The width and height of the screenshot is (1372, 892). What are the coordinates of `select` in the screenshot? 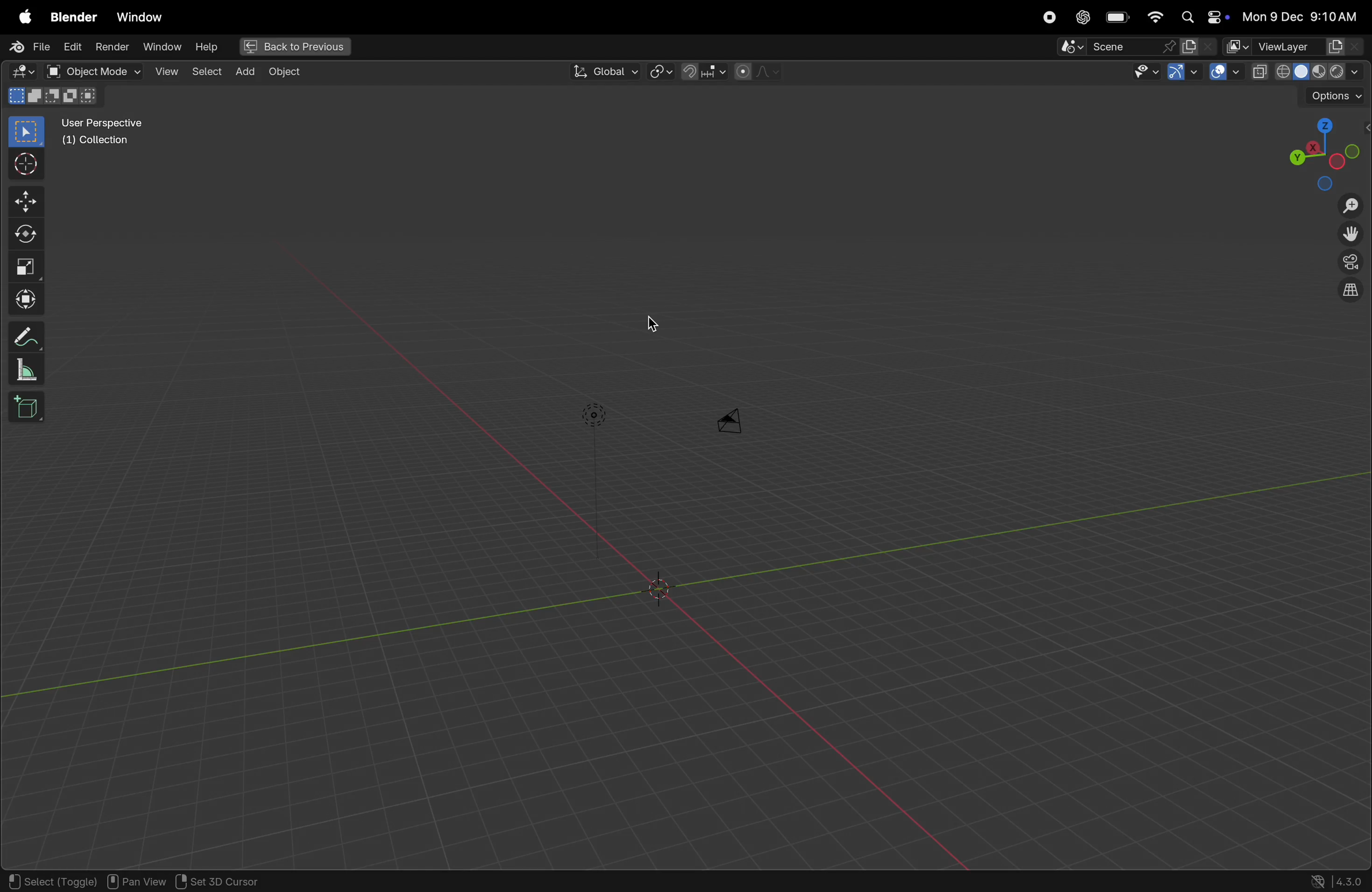 It's located at (205, 70).